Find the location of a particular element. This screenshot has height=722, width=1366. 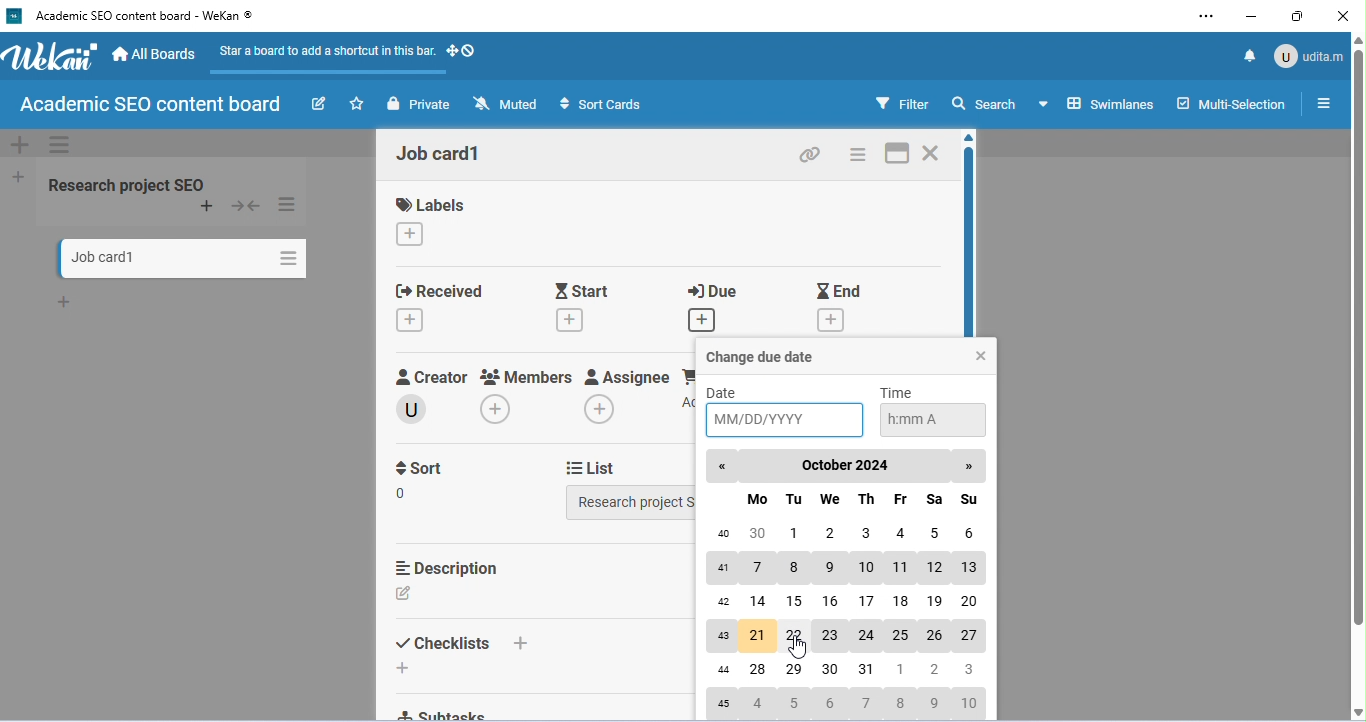

card actions is located at coordinates (286, 255).